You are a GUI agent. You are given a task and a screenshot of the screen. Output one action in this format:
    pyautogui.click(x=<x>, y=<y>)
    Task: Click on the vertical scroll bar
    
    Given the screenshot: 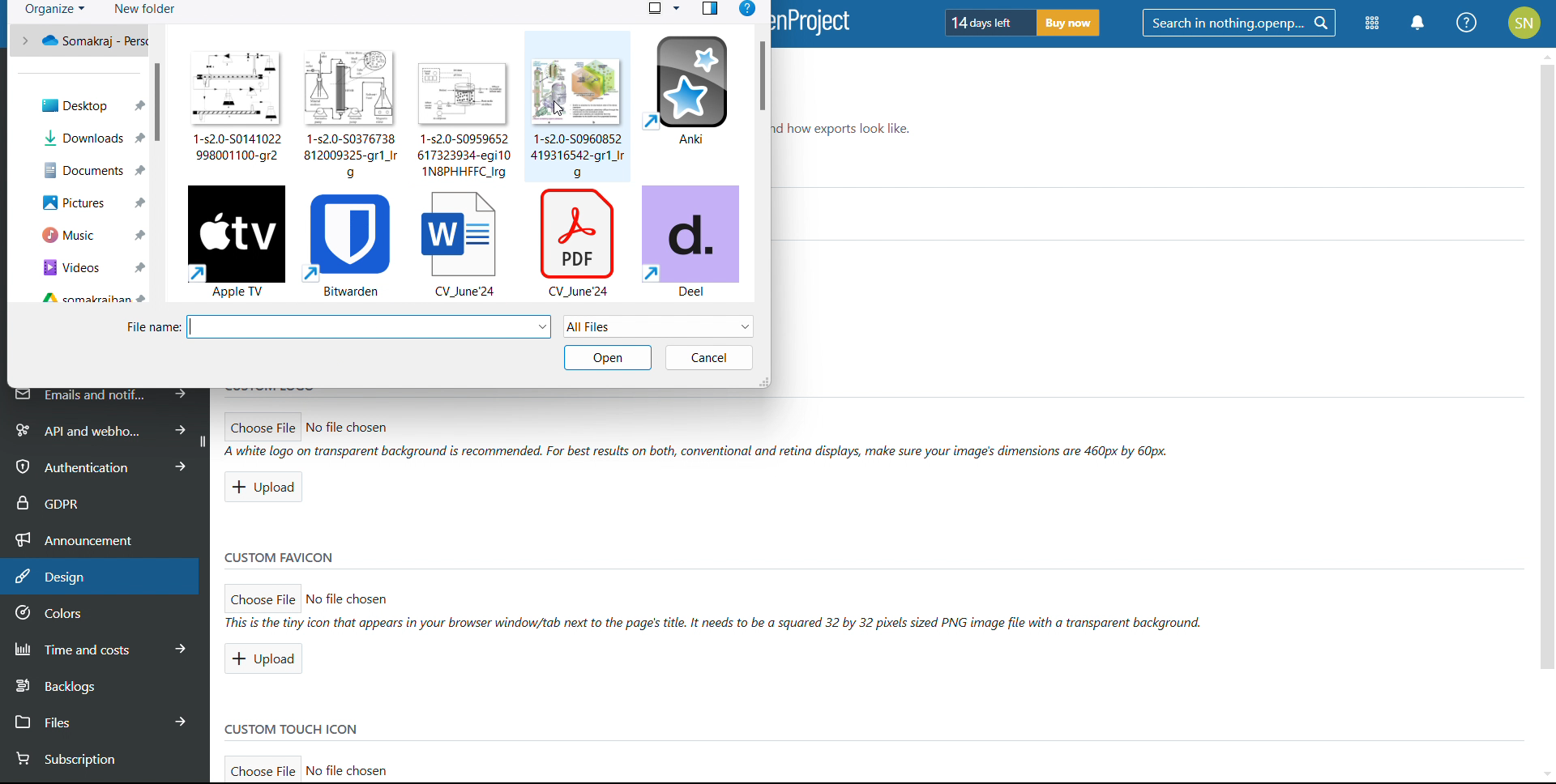 What is the action you would take?
    pyautogui.click(x=1545, y=382)
    